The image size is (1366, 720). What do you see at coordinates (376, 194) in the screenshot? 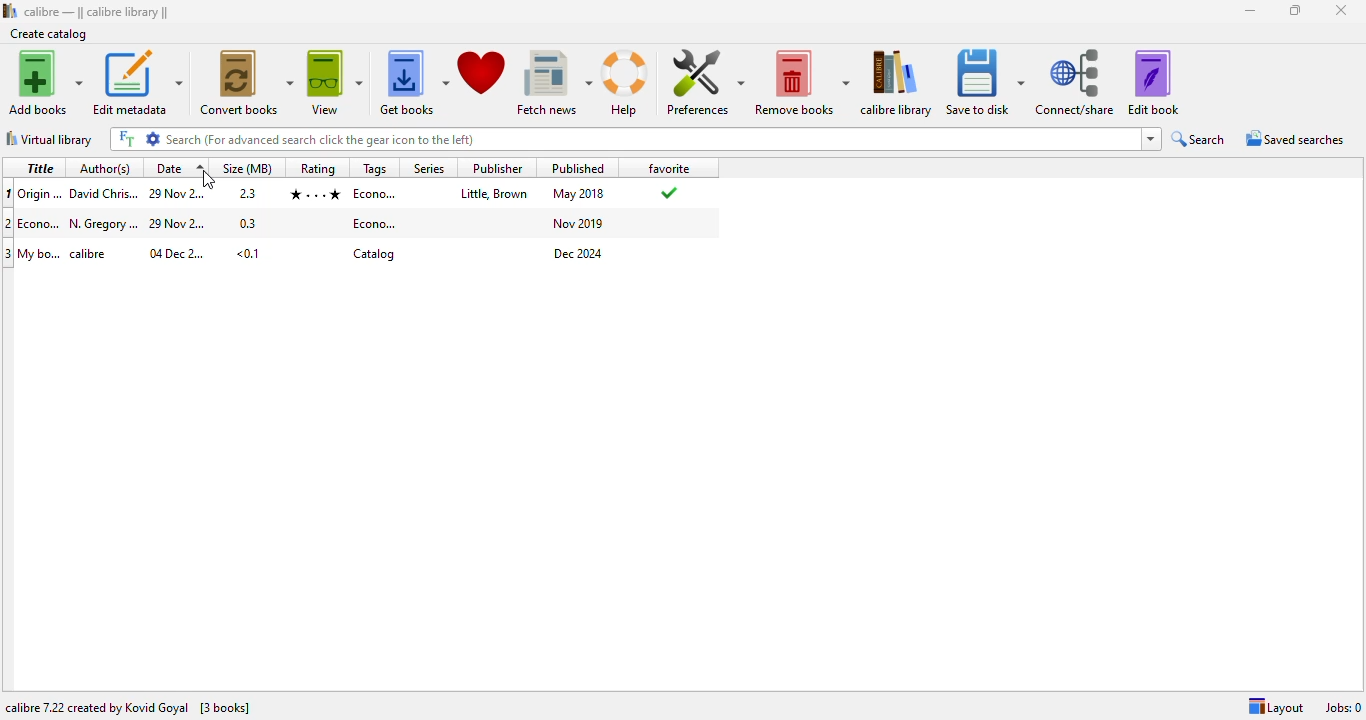
I see `tag` at bounding box center [376, 194].